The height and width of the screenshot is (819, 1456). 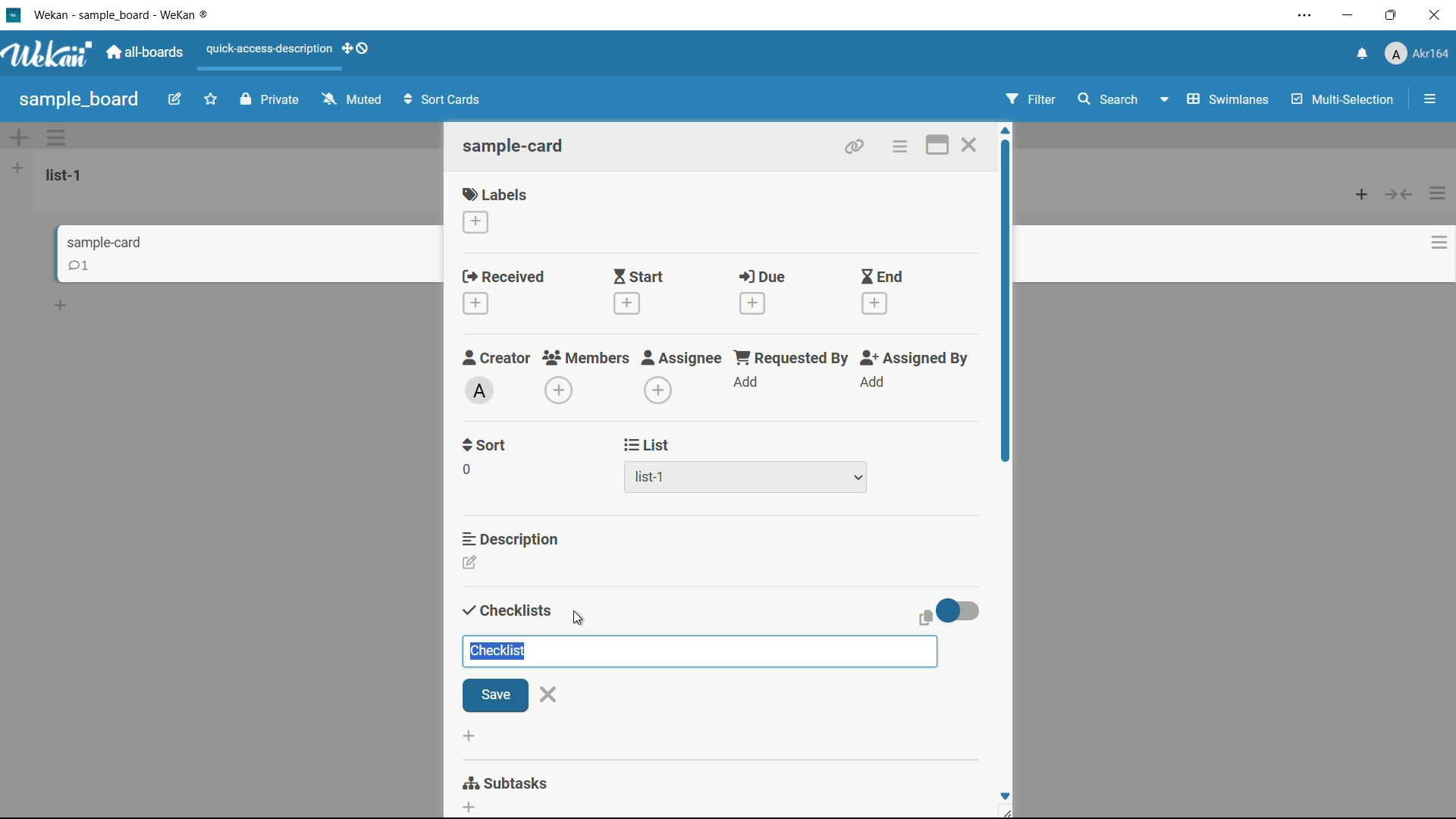 I want to click on checklists, so click(x=507, y=611).